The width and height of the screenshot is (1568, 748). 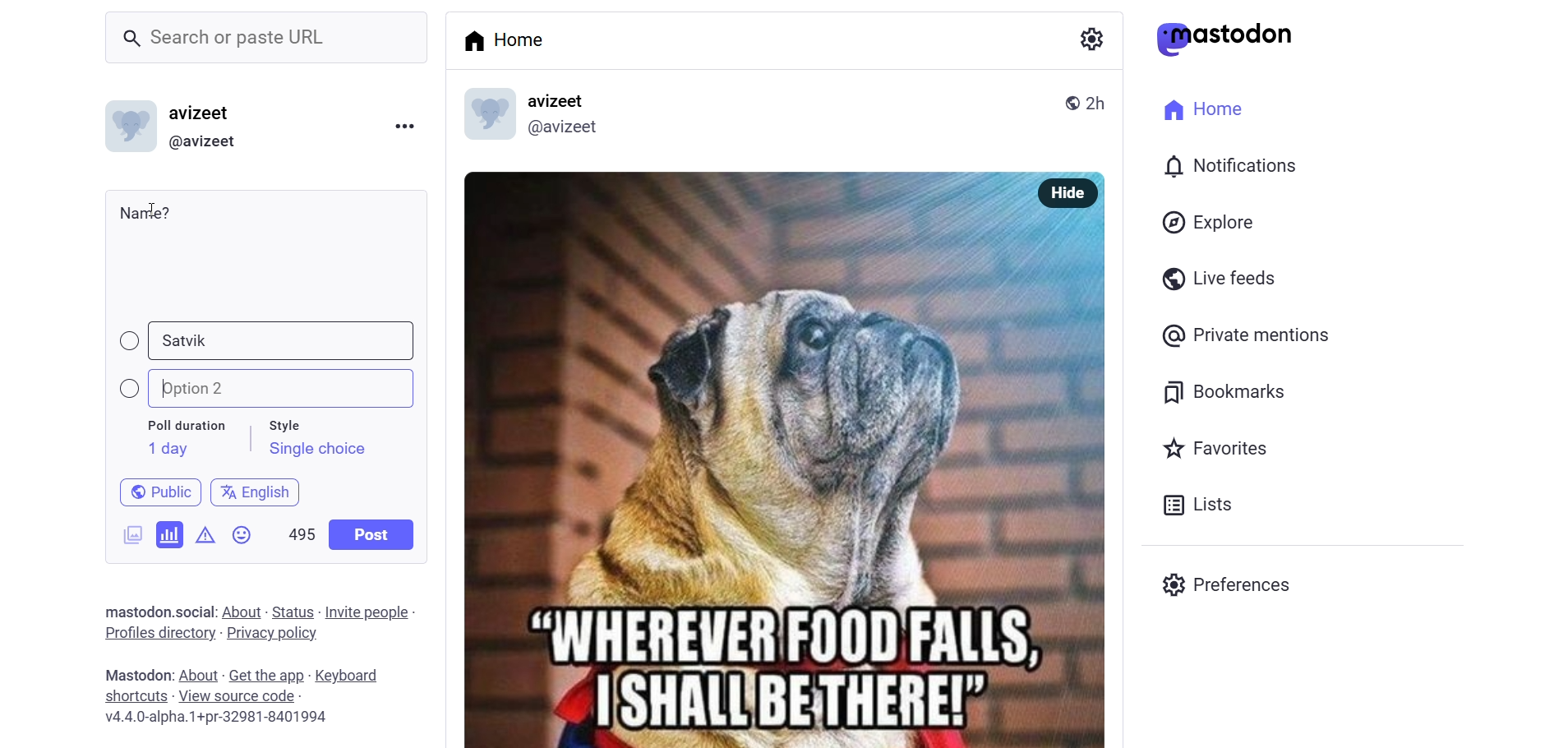 I want to click on post, so click(x=373, y=534).